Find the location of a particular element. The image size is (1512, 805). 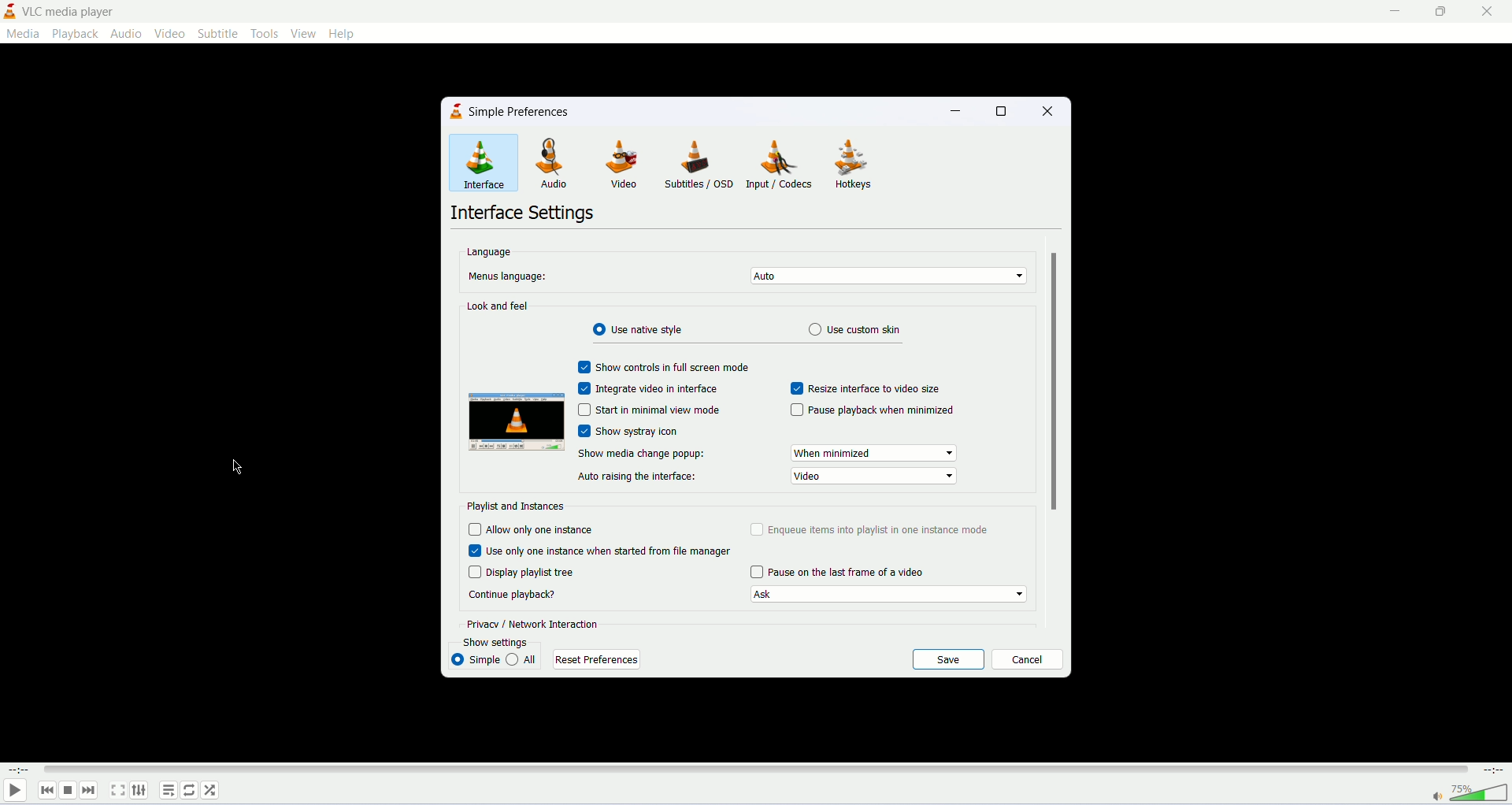

Auto raising the interface is located at coordinates (642, 477).